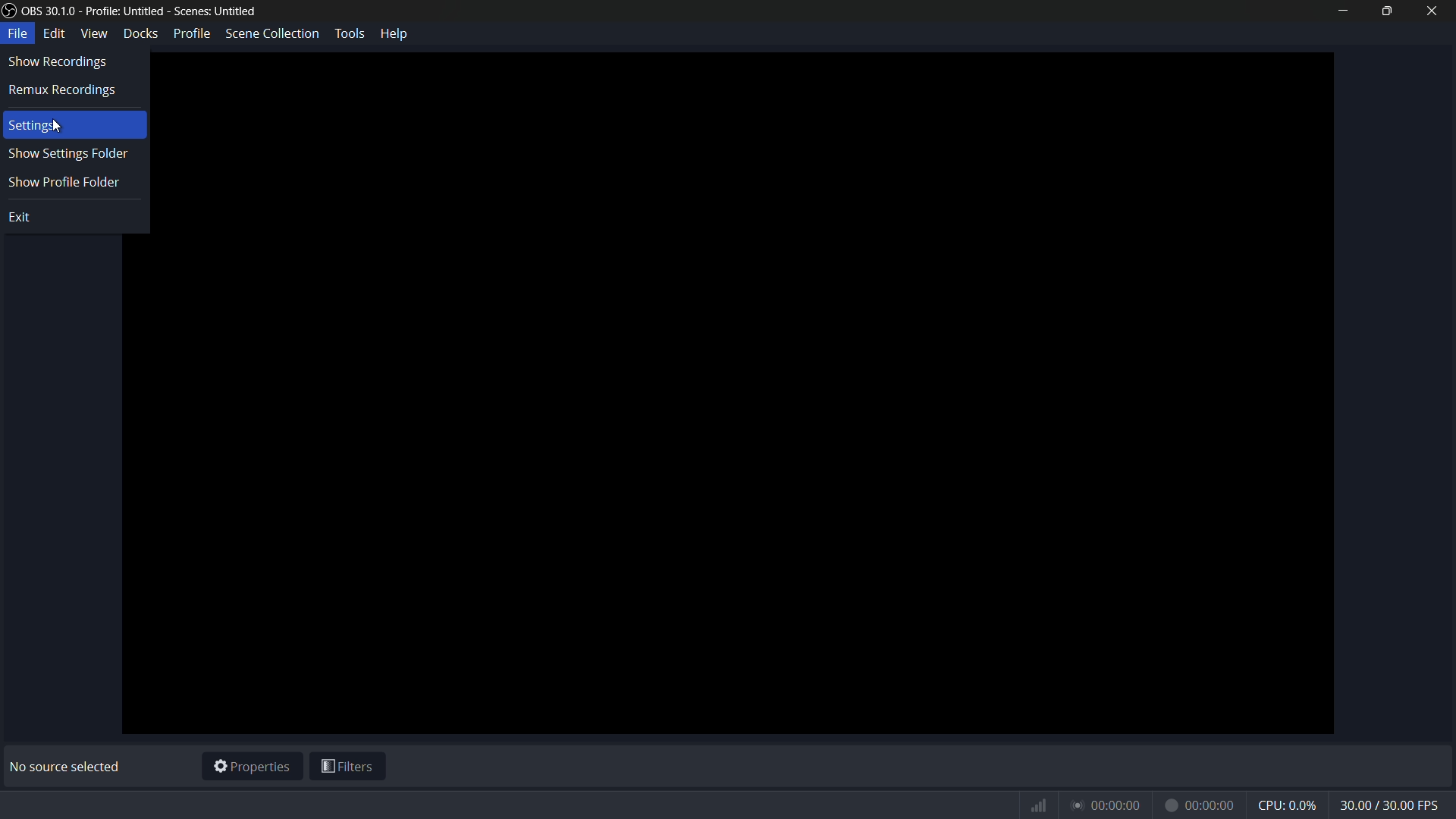 The height and width of the screenshot is (819, 1456). I want to click on remux recording, so click(64, 91).